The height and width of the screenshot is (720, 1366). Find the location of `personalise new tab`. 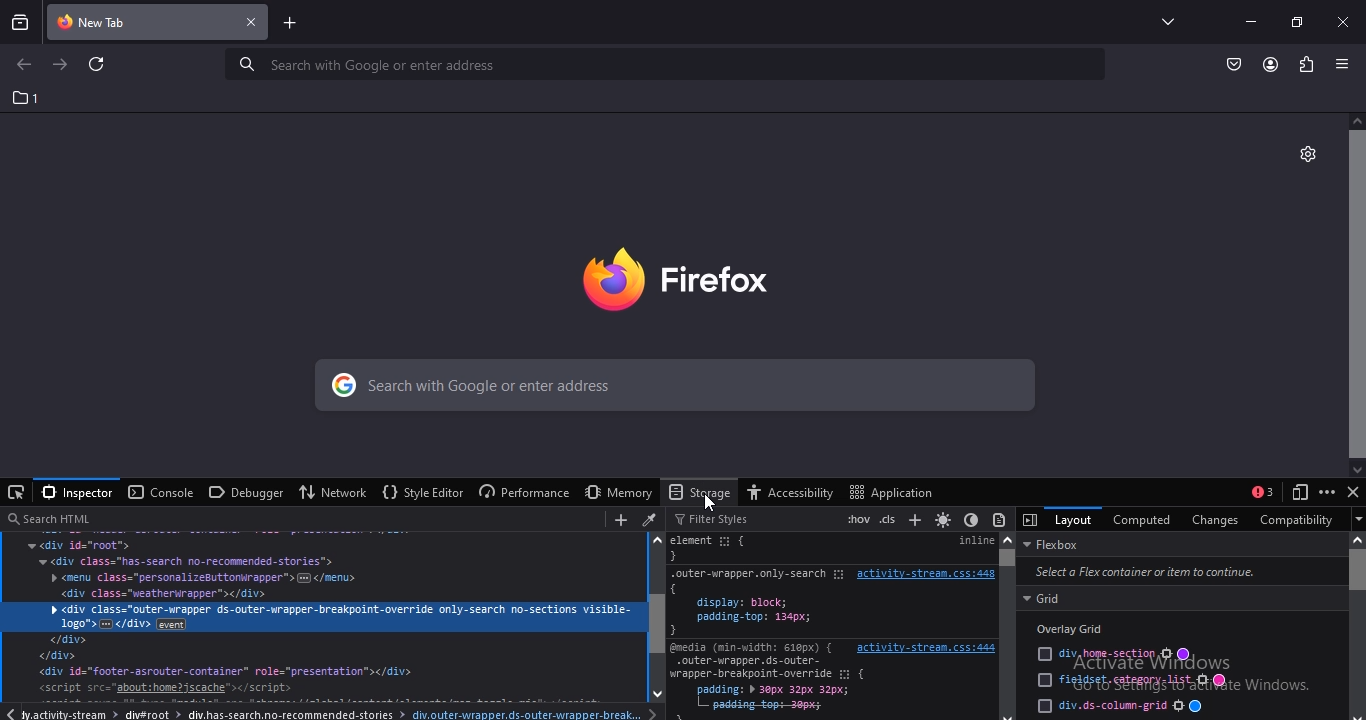

personalise new tab is located at coordinates (1307, 152).